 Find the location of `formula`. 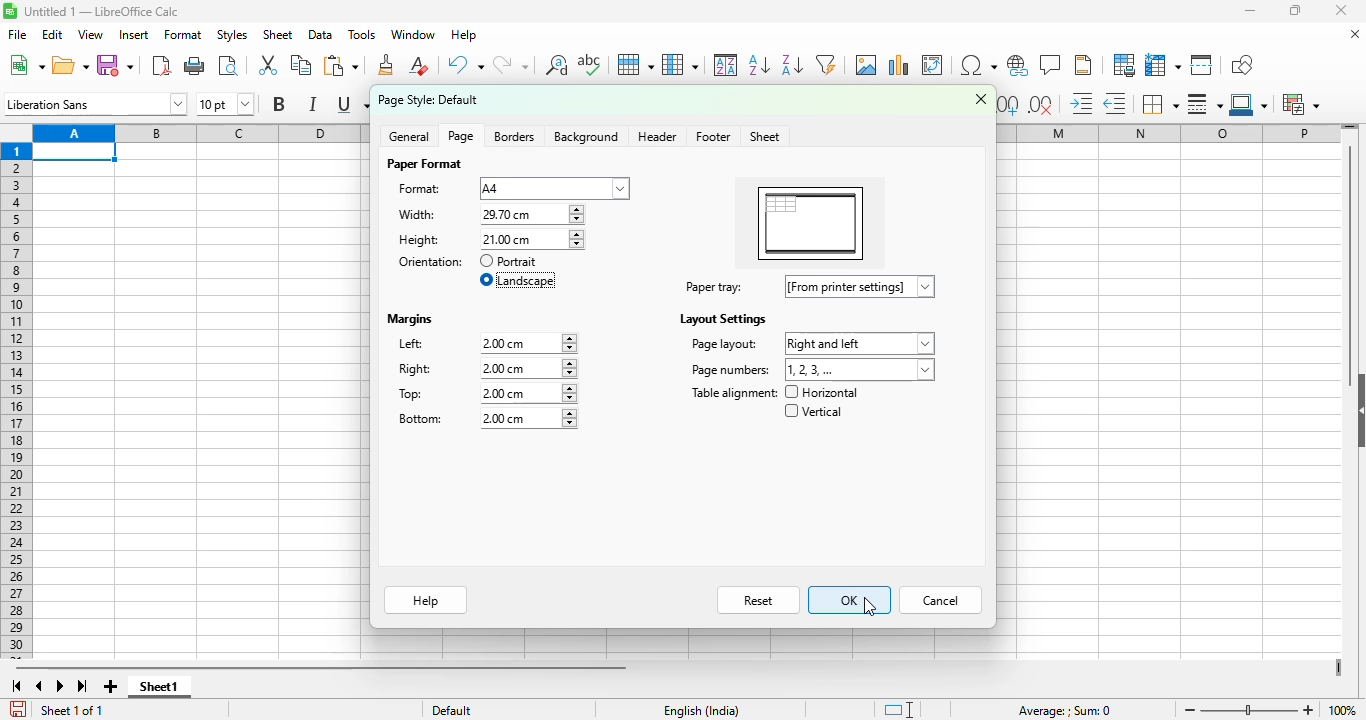

formula is located at coordinates (1065, 711).